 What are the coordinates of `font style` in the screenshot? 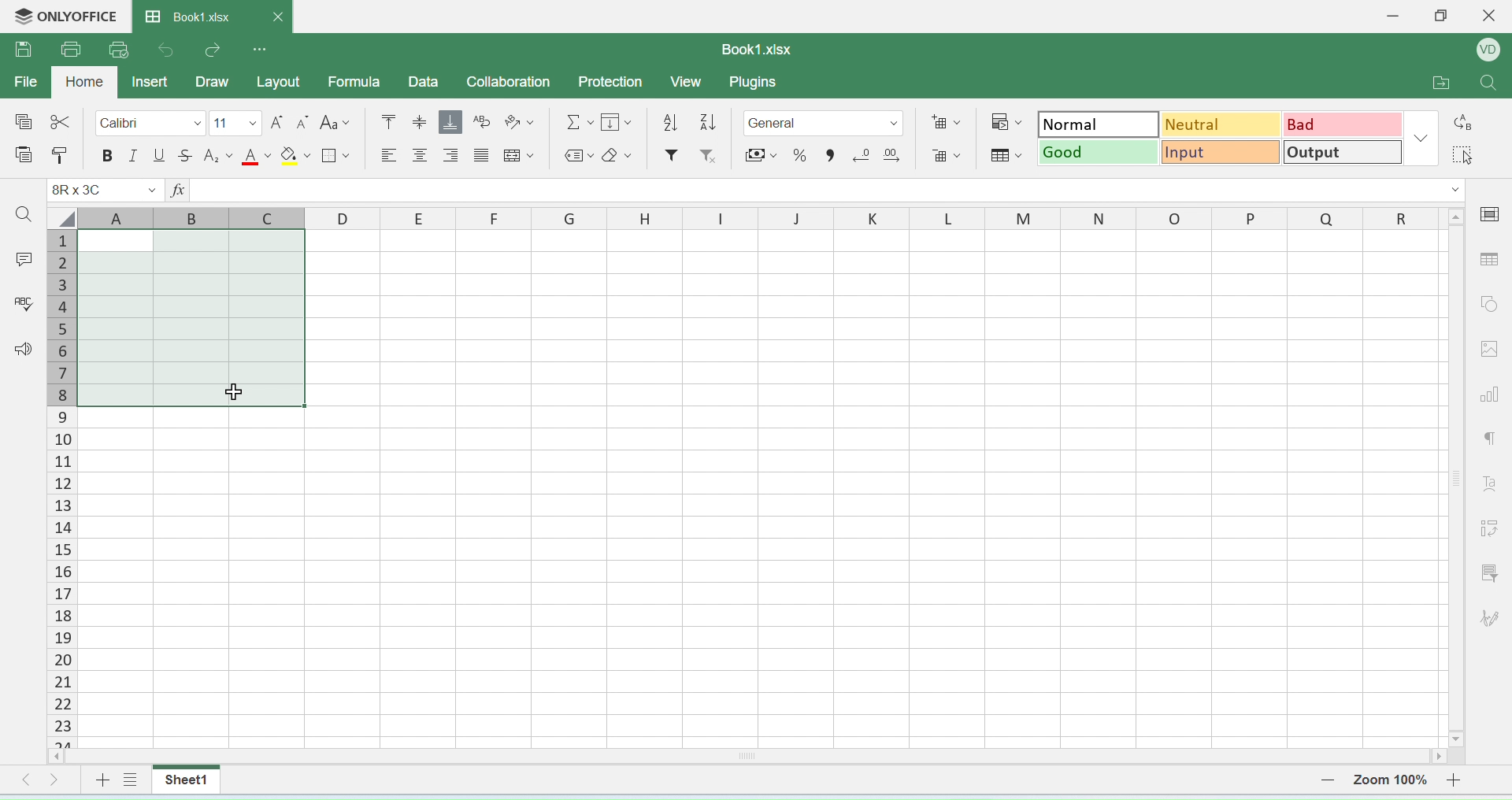 It's located at (341, 123).